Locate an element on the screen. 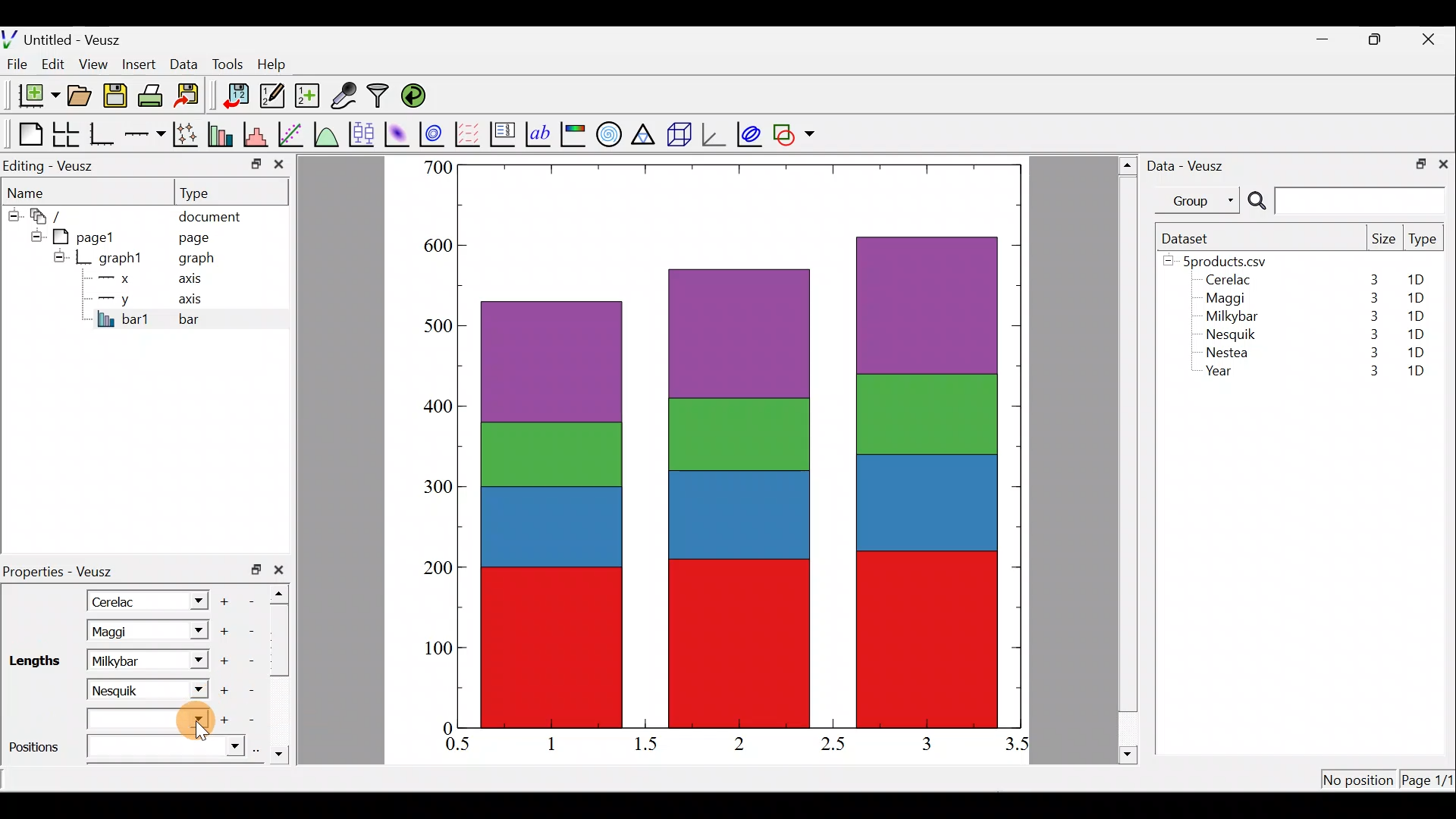  File is located at coordinates (14, 64).